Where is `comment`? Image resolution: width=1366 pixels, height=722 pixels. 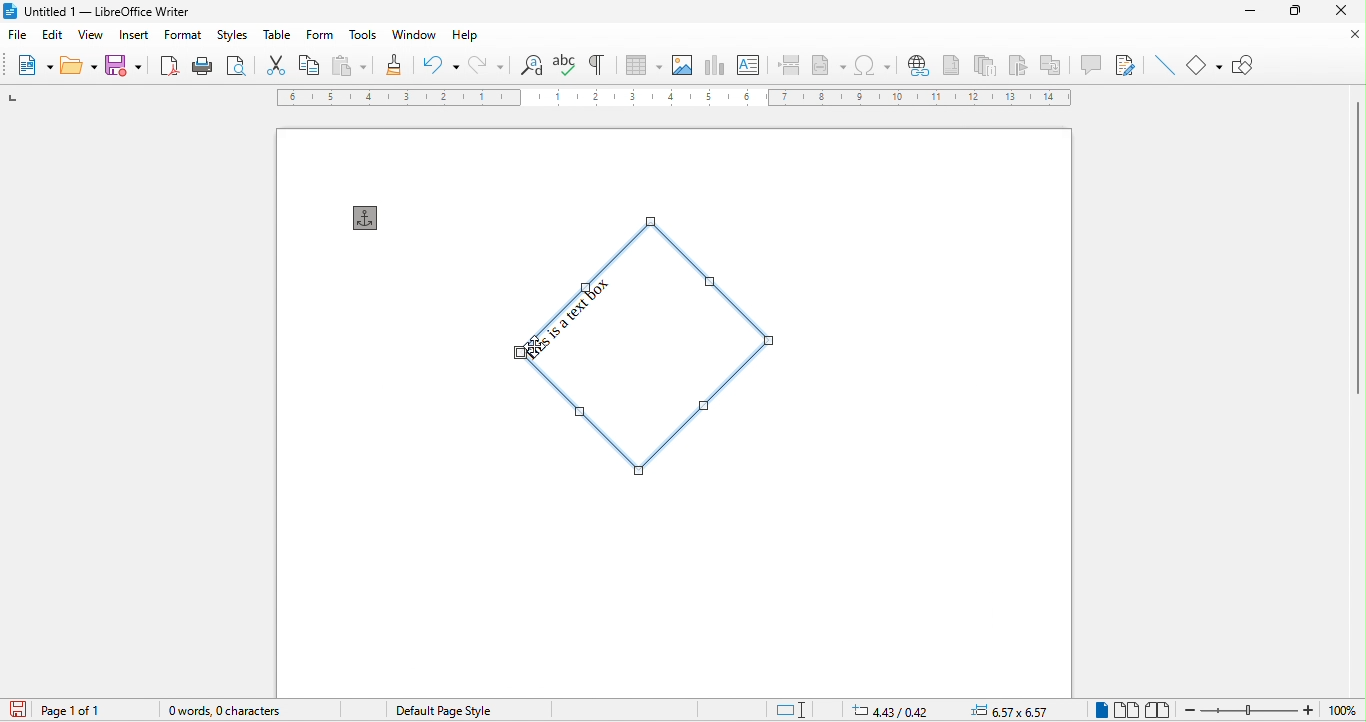
comment is located at coordinates (1091, 64).